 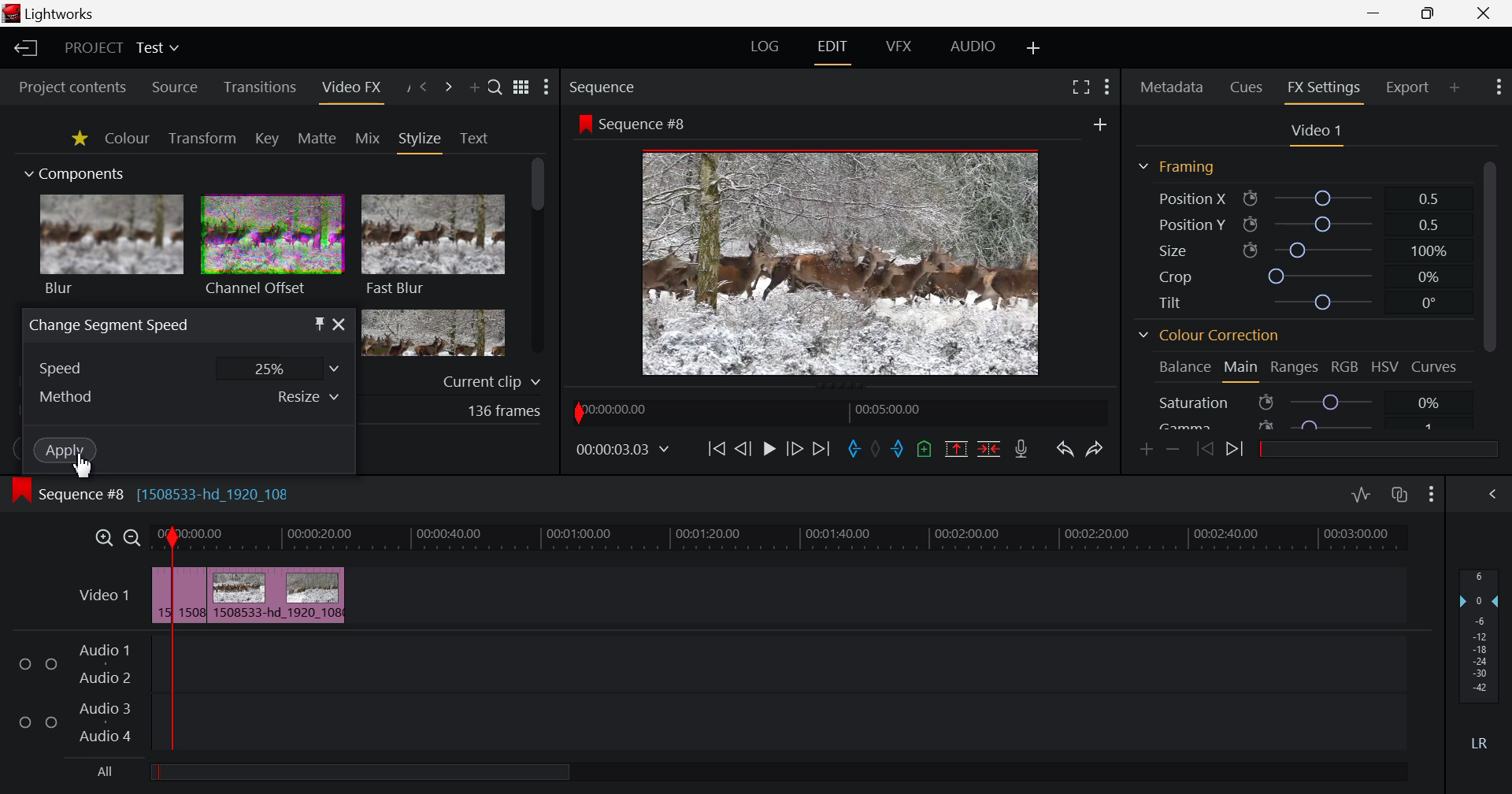 What do you see at coordinates (1247, 88) in the screenshot?
I see `Cues` at bounding box center [1247, 88].